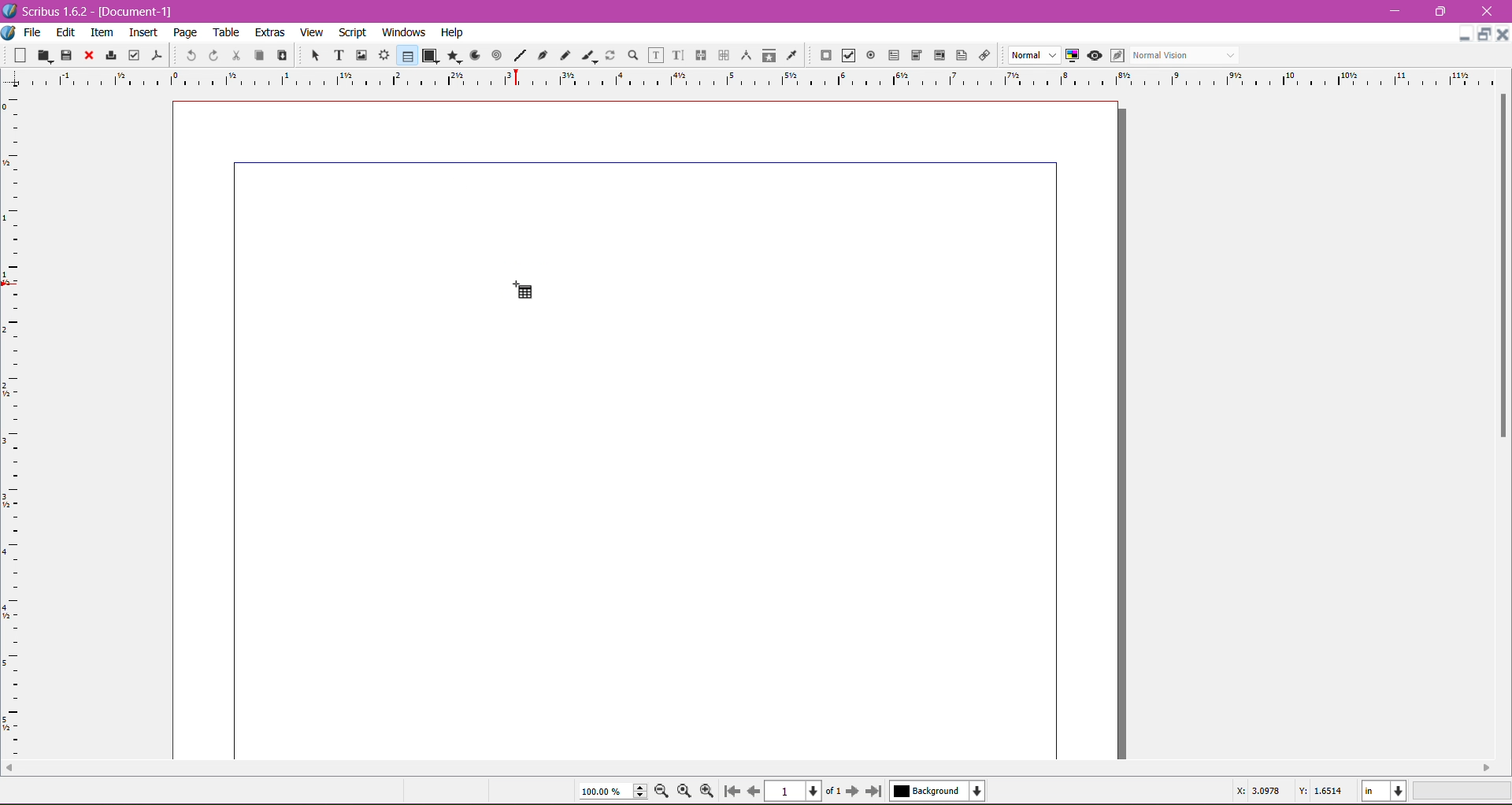 Image resolution: width=1512 pixels, height=805 pixels. I want to click on Maximize, so click(1485, 35).